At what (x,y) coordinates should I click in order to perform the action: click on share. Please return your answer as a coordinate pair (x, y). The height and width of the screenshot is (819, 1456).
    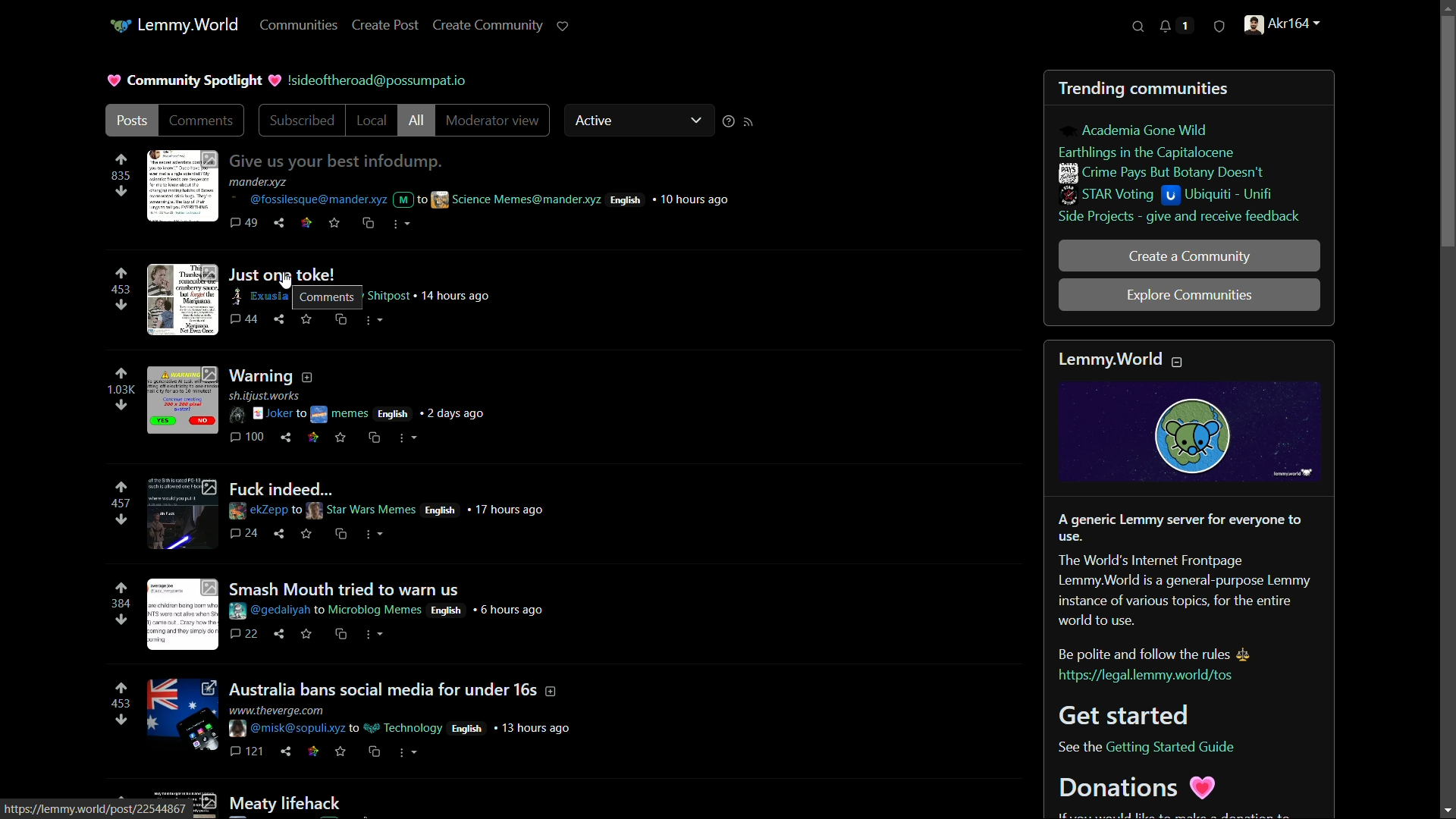
    Looking at the image, I should click on (278, 633).